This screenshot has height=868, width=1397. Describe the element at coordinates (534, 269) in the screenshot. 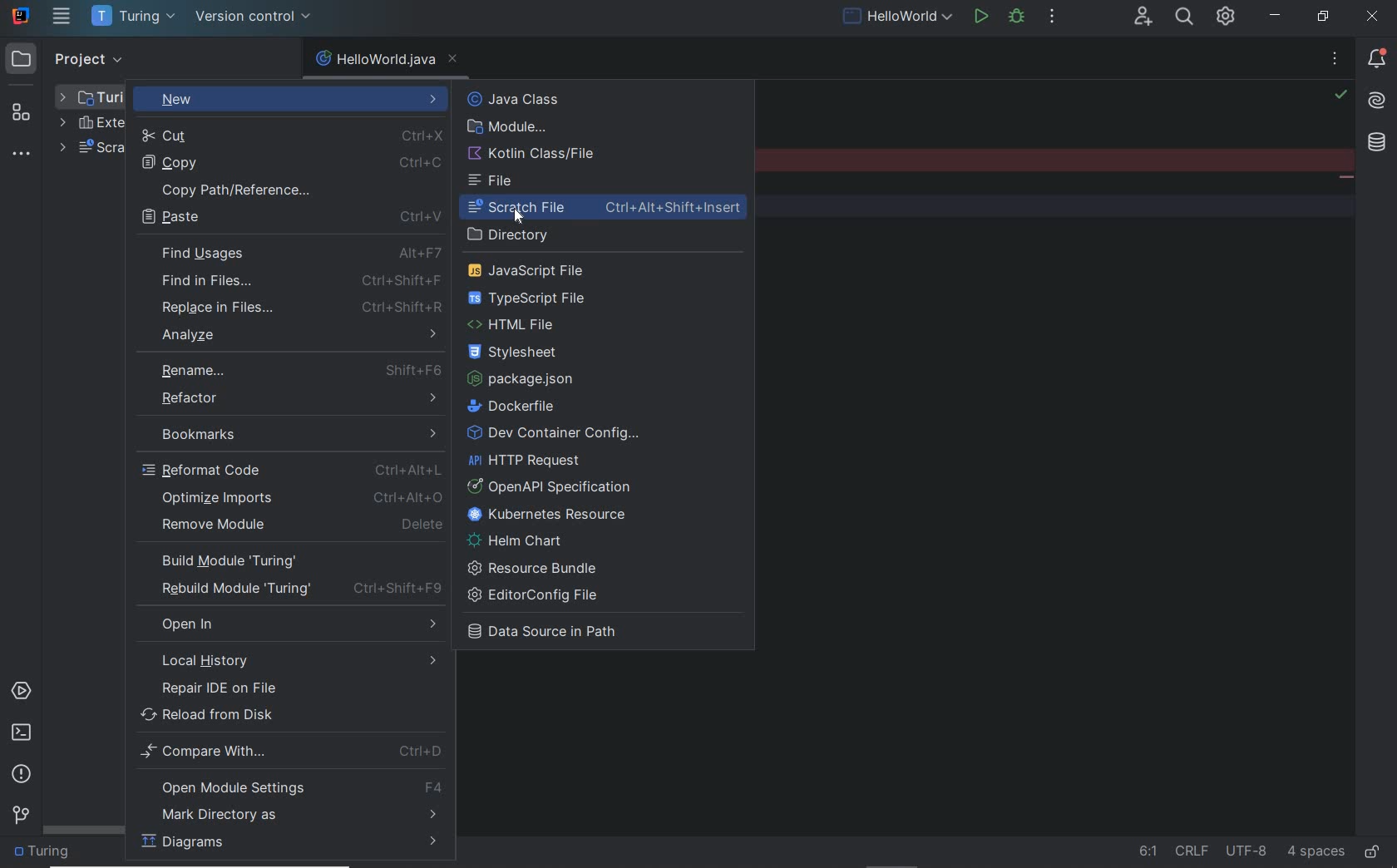

I see `JavaScript File` at that location.